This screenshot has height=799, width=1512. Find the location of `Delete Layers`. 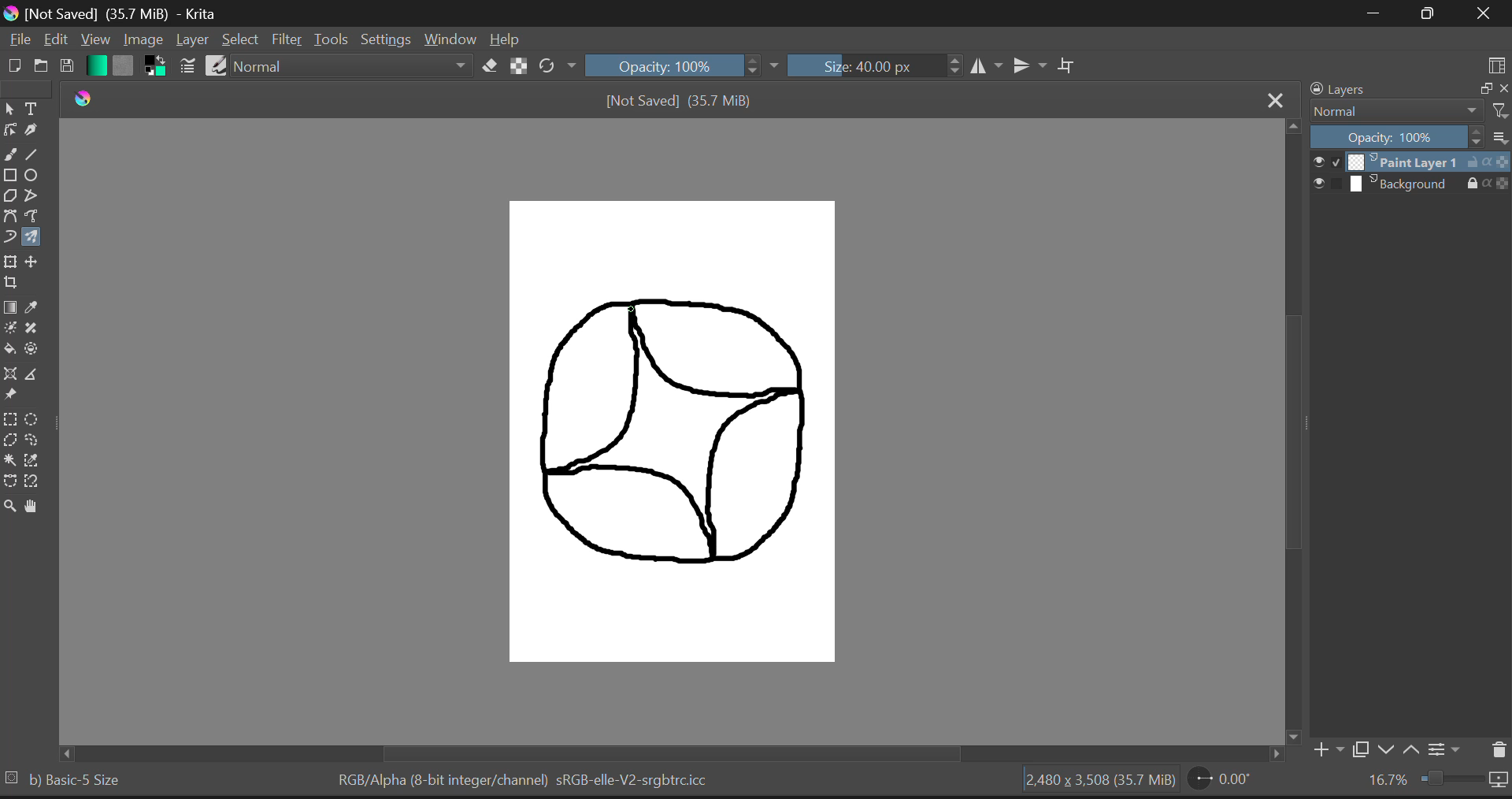

Delete Layers is located at coordinates (1497, 748).